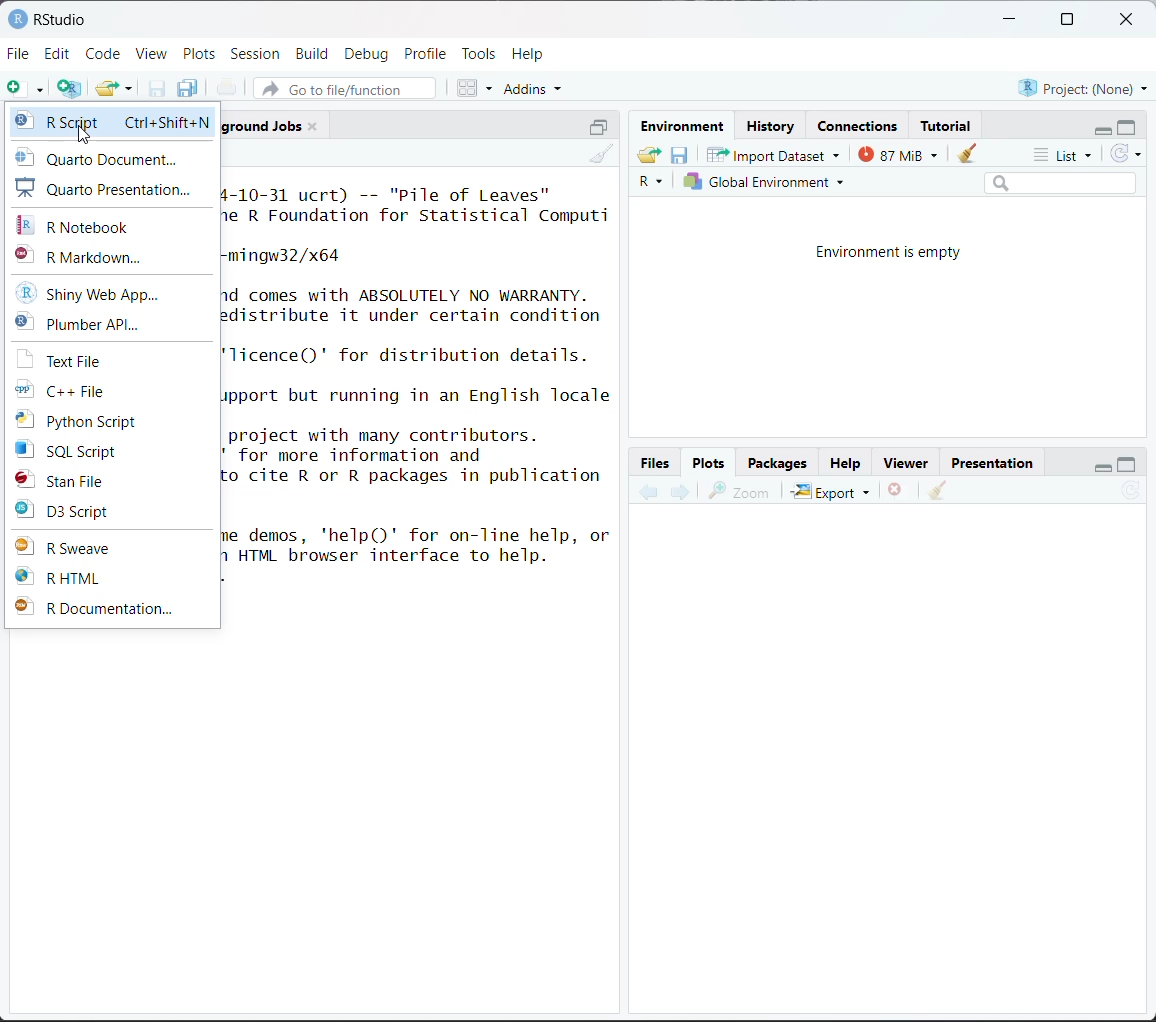 This screenshot has width=1156, height=1022. I want to click on Python Script, so click(78, 420).